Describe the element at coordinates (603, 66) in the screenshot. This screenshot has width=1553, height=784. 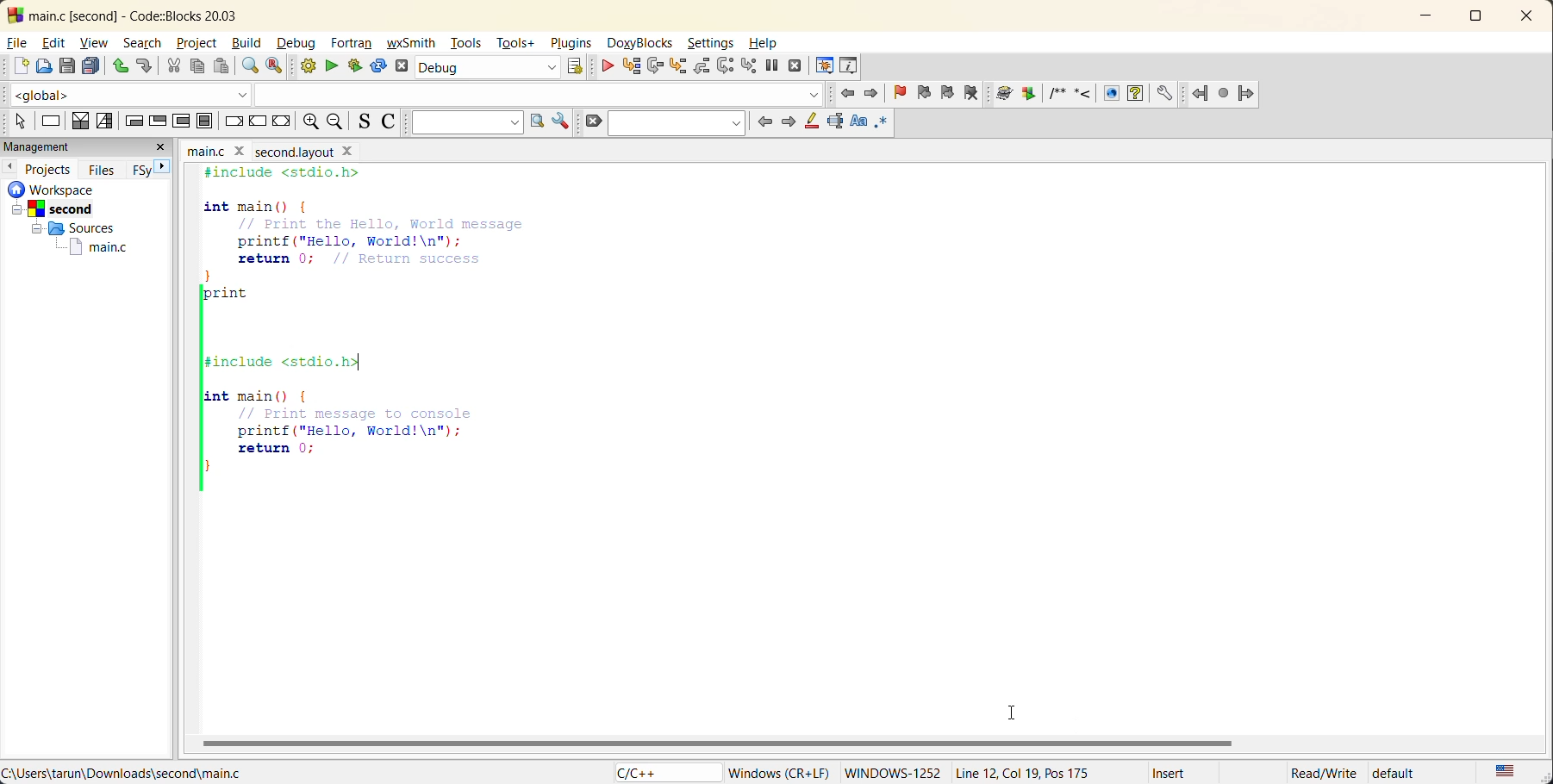
I see `continue` at that location.